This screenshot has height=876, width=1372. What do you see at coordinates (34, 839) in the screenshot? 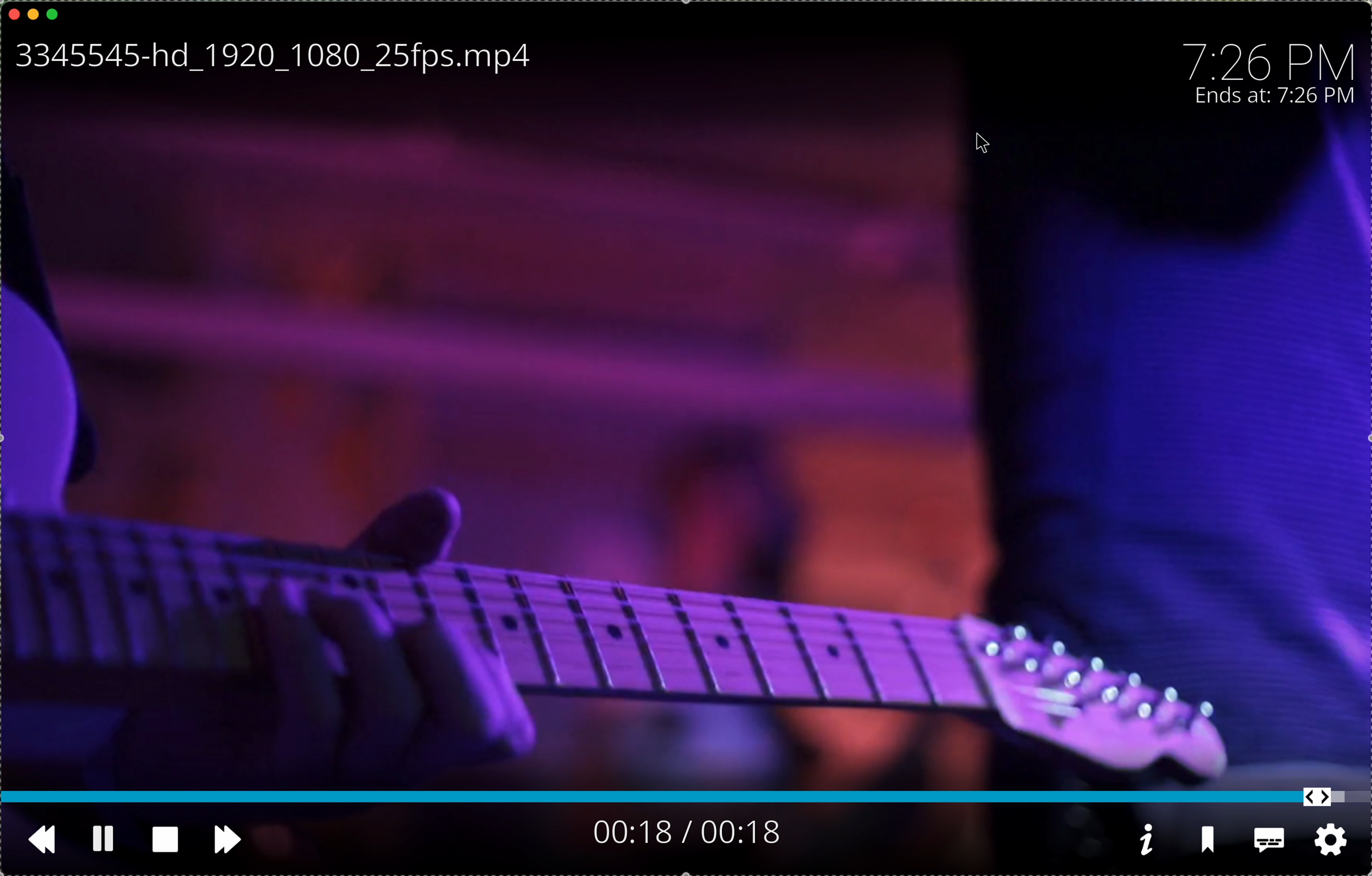
I see `go back` at bounding box center [34, 839].